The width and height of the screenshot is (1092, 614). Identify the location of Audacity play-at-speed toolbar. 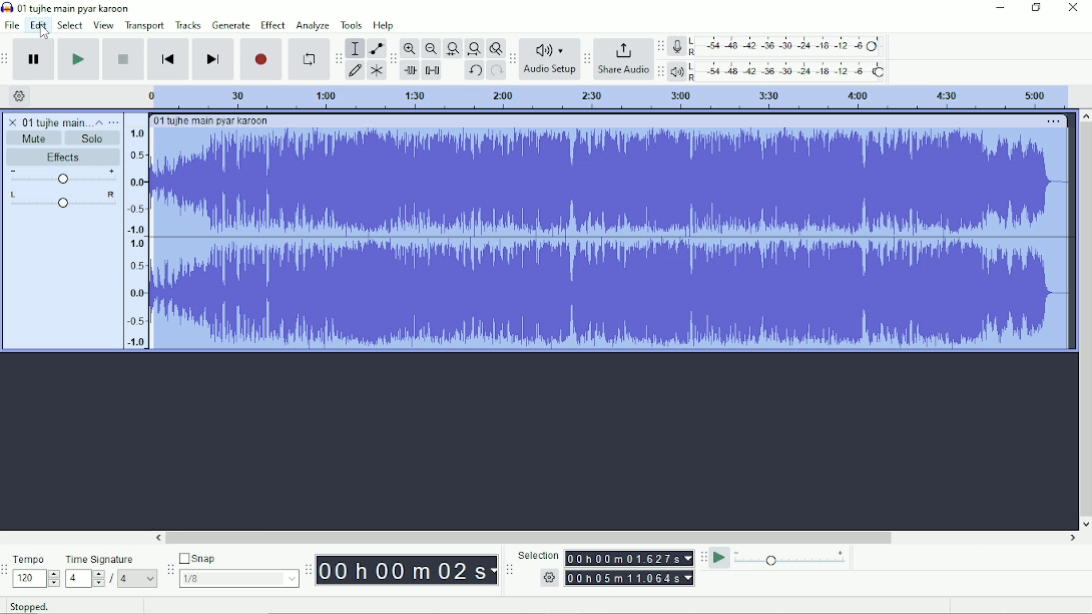
(703, 557).